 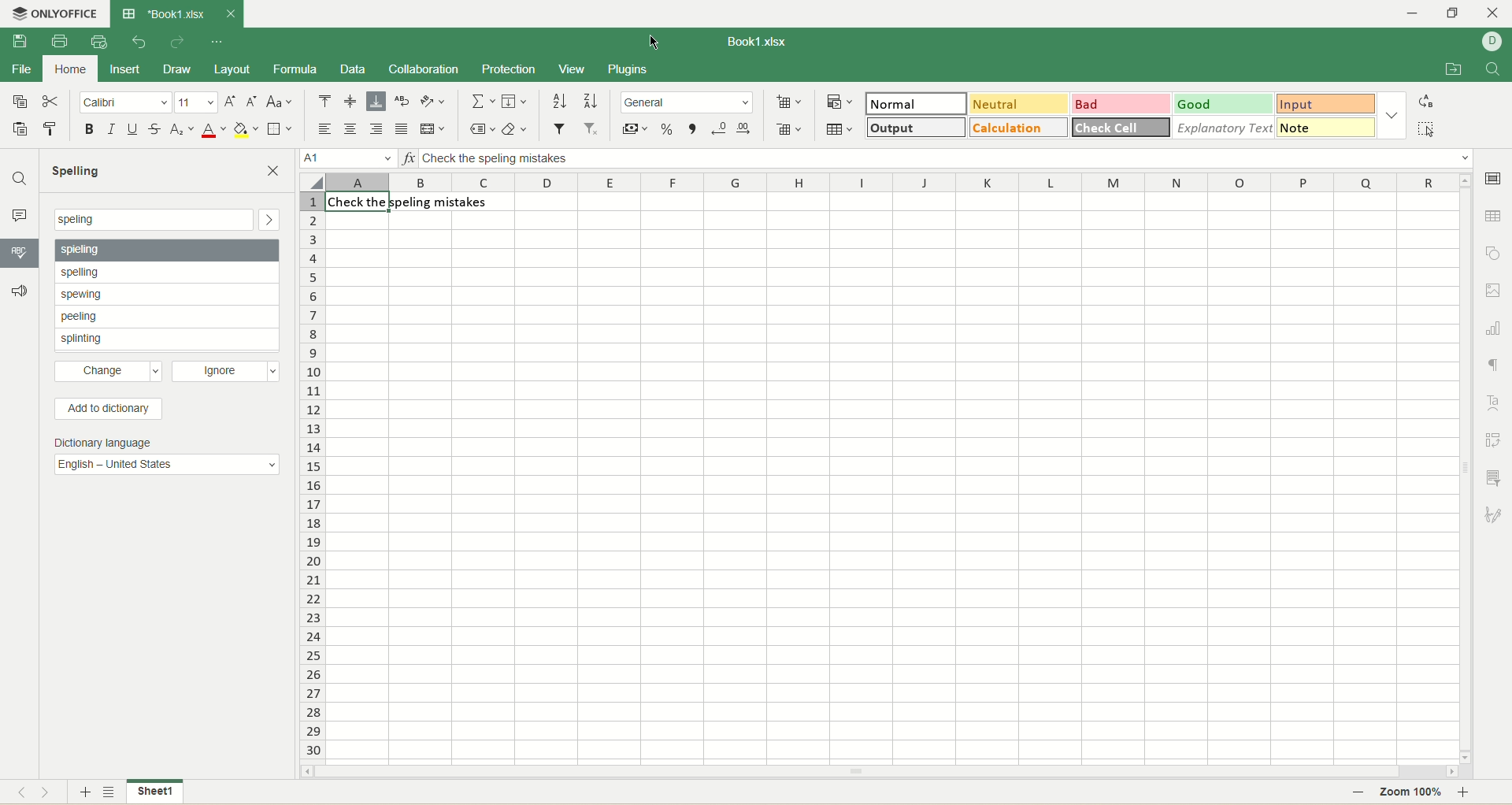 I want to click on calculation, so click(x=1019, y=128).